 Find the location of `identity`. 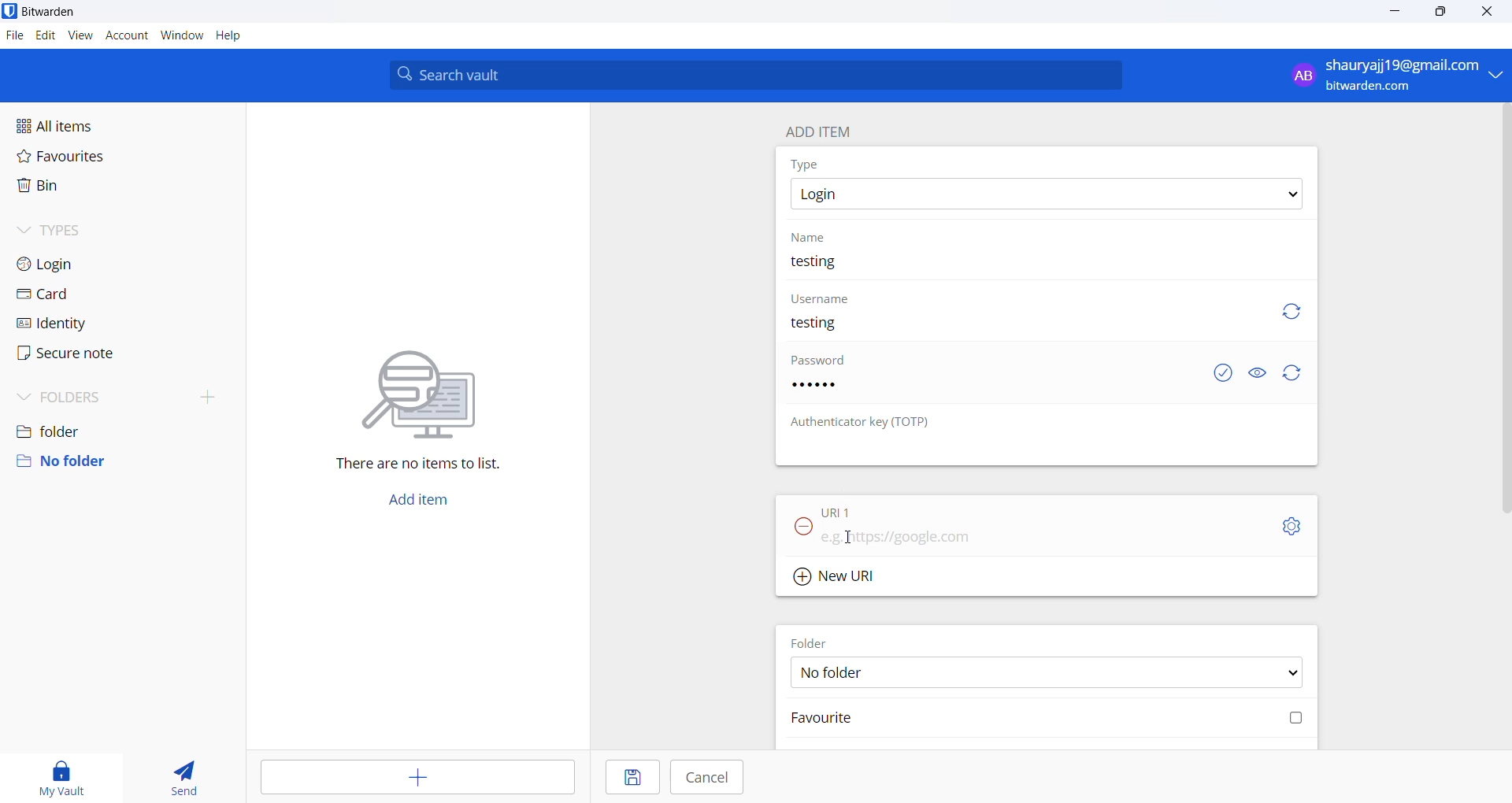

identity is located at coordinates (76, 324).